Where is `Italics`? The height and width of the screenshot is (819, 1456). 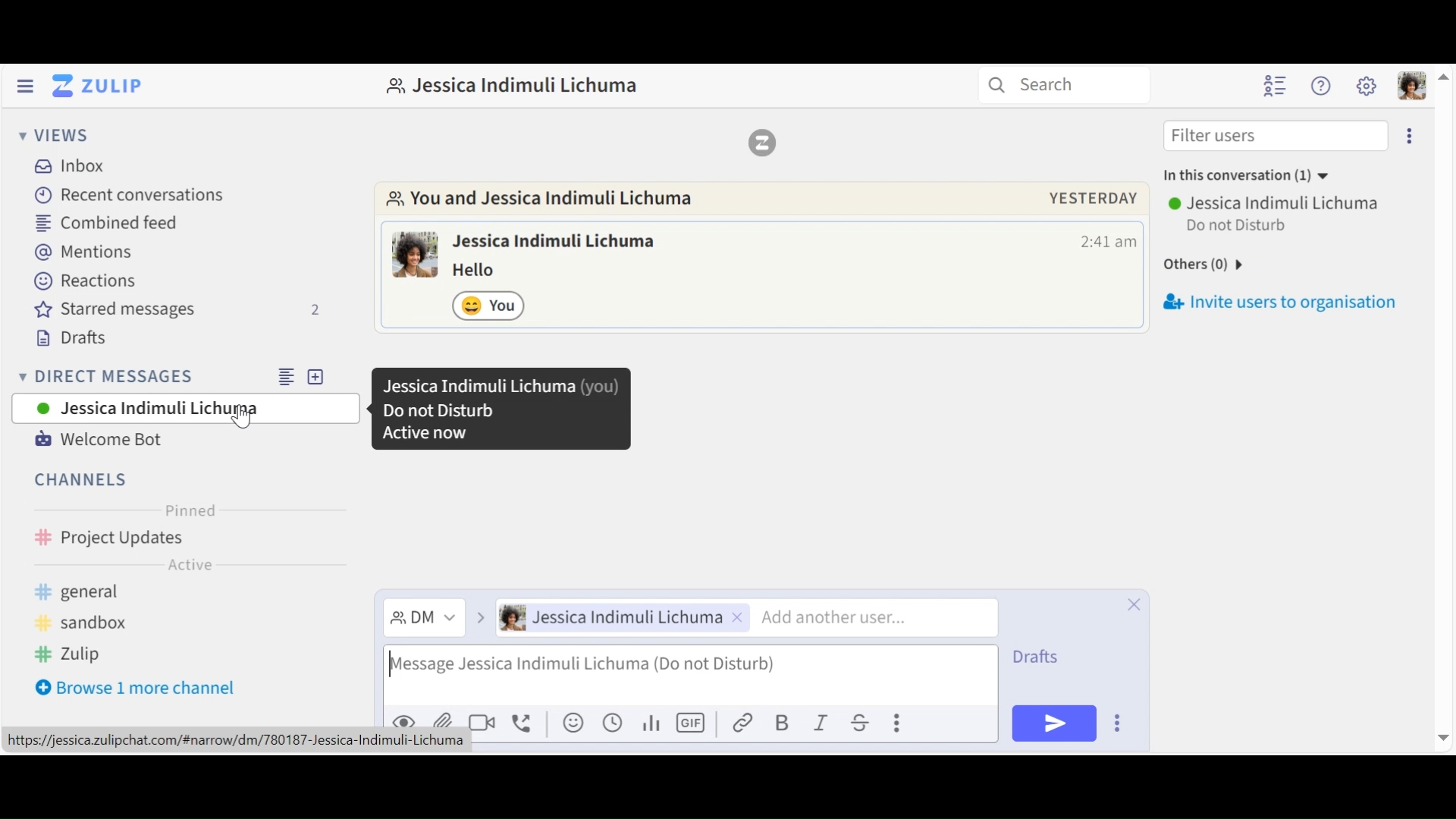 Italics is located at coordinates (821, 723).